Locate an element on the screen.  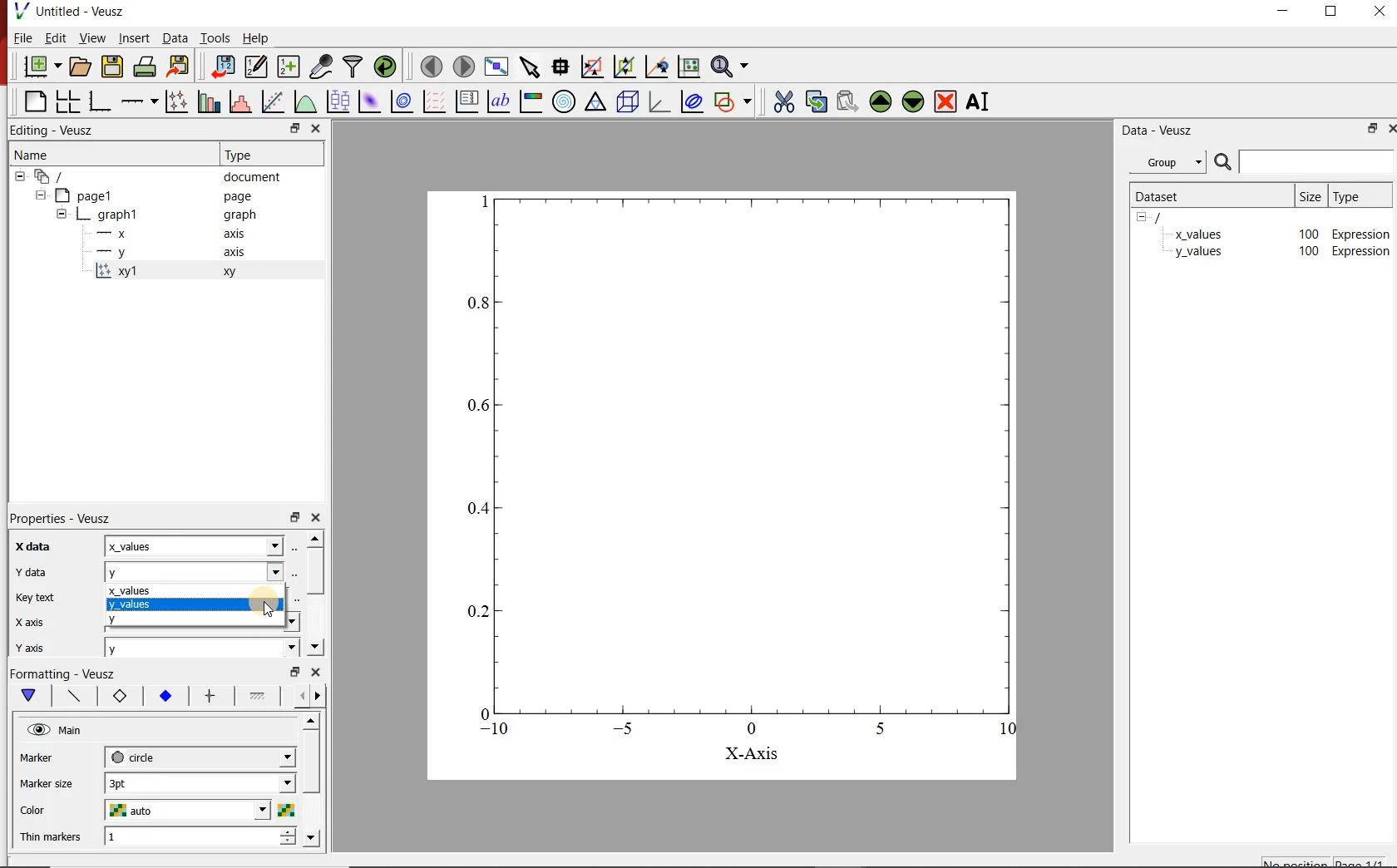
Color is located at coordinates (37, 811).